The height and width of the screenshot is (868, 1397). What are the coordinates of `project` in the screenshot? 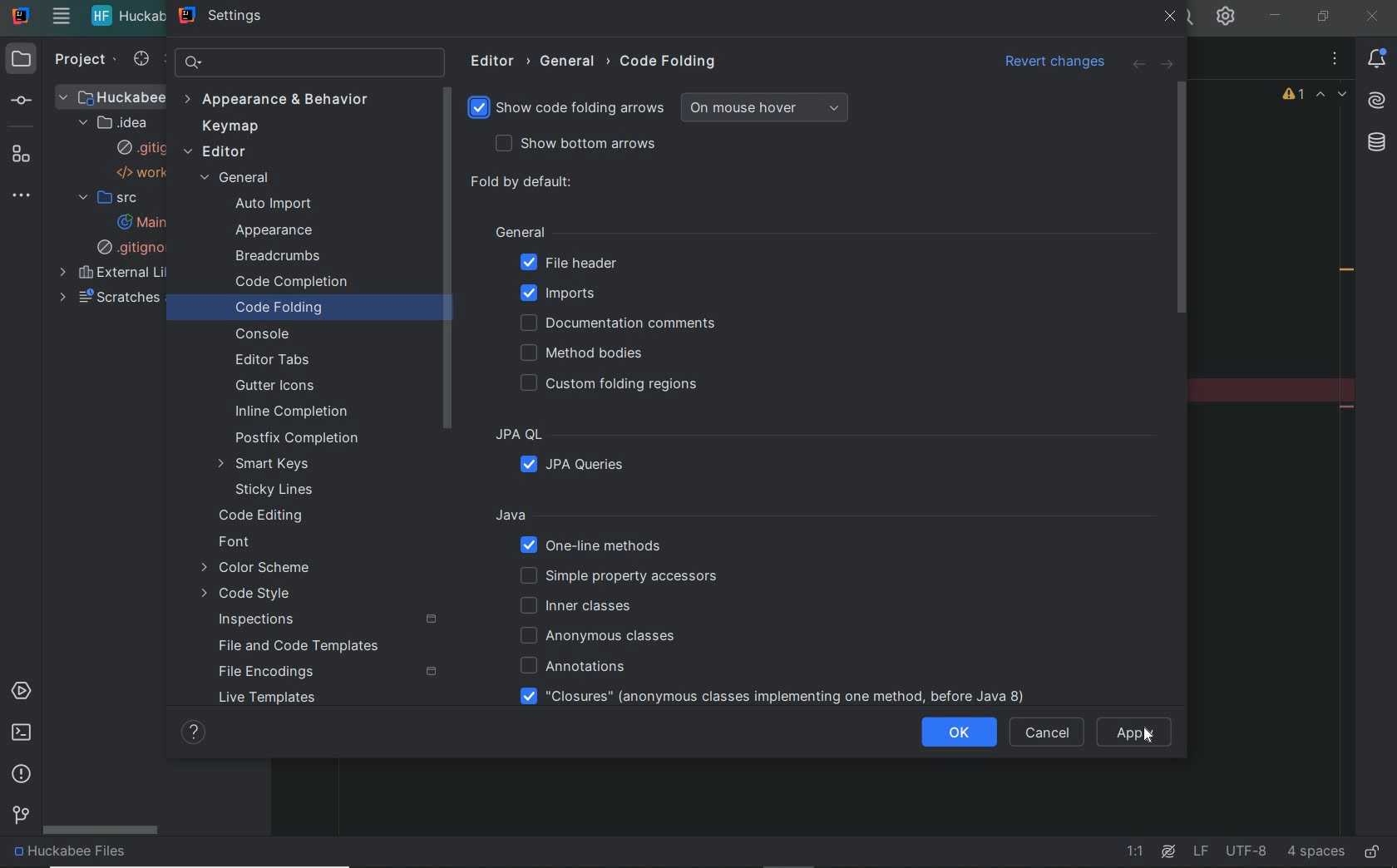 It's located at (16, 60).